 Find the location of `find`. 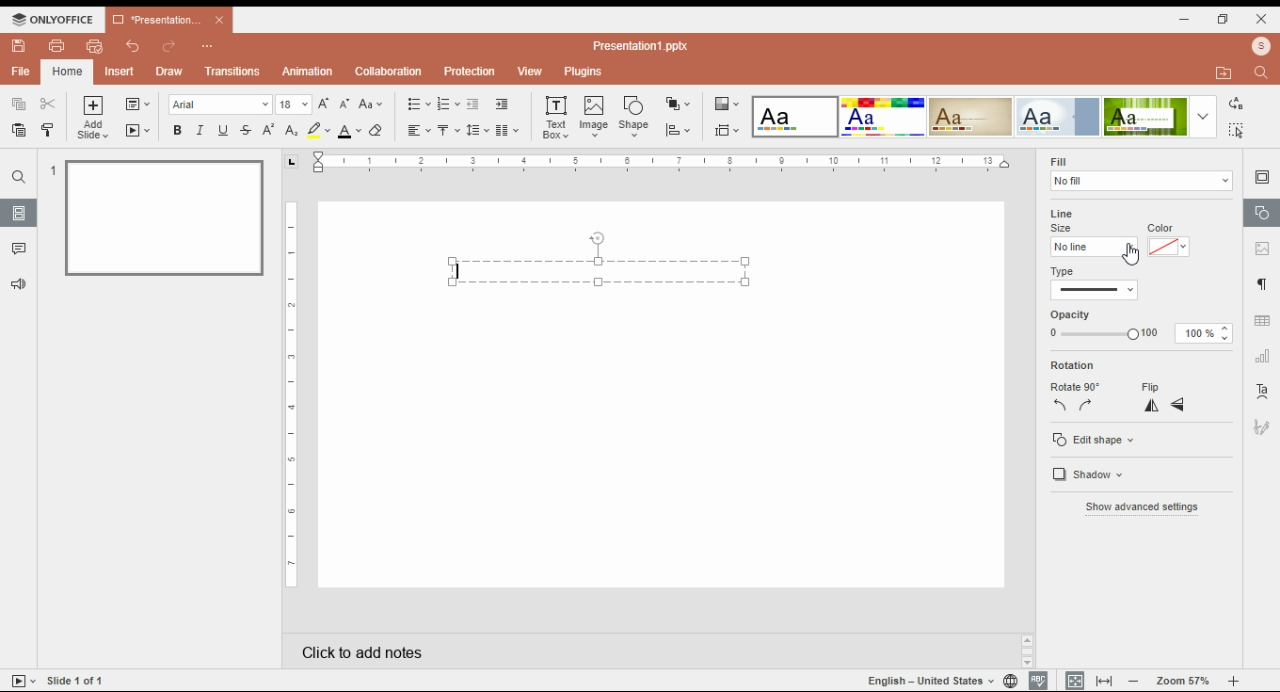

find is located at coordinates (18, 177).